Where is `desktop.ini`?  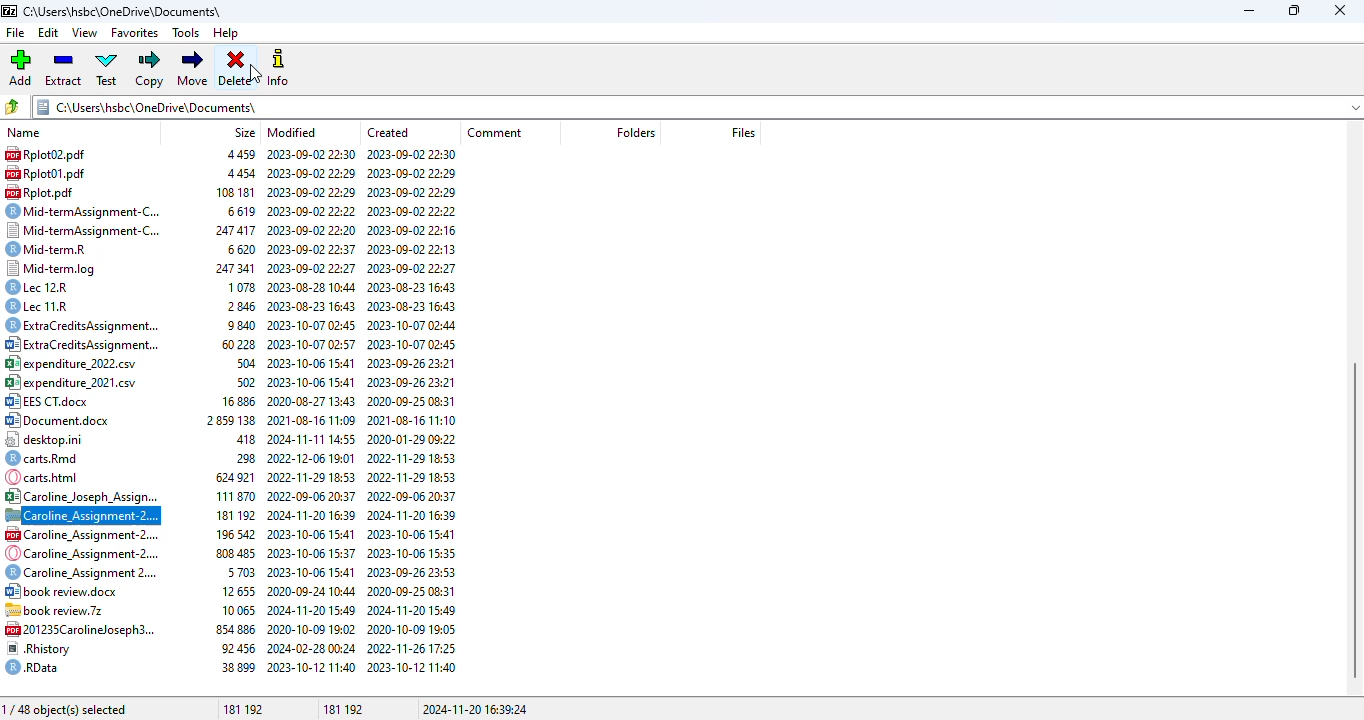
desktop.ini is located at coordinates (54, 440).